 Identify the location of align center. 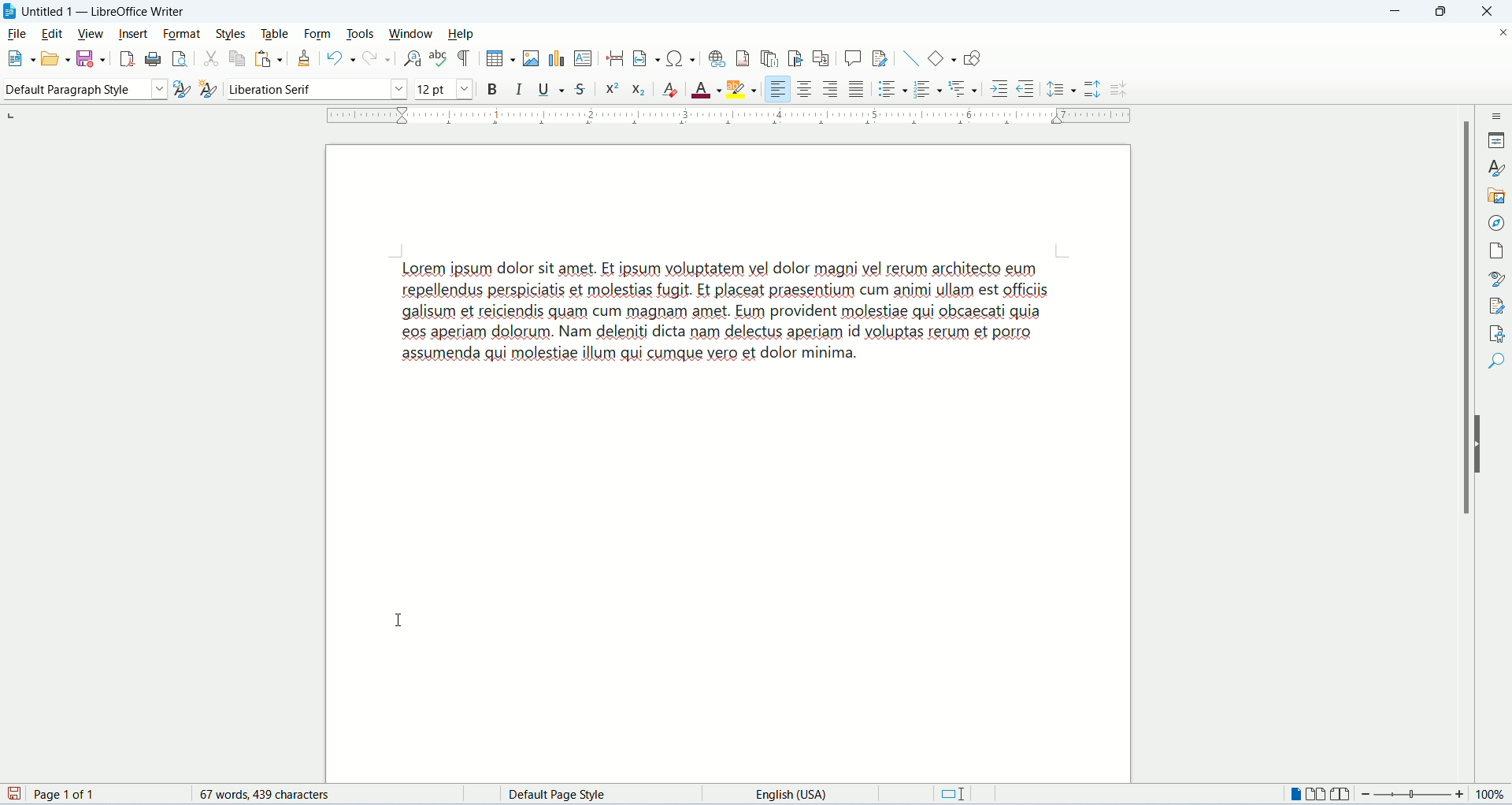
(805, 90).